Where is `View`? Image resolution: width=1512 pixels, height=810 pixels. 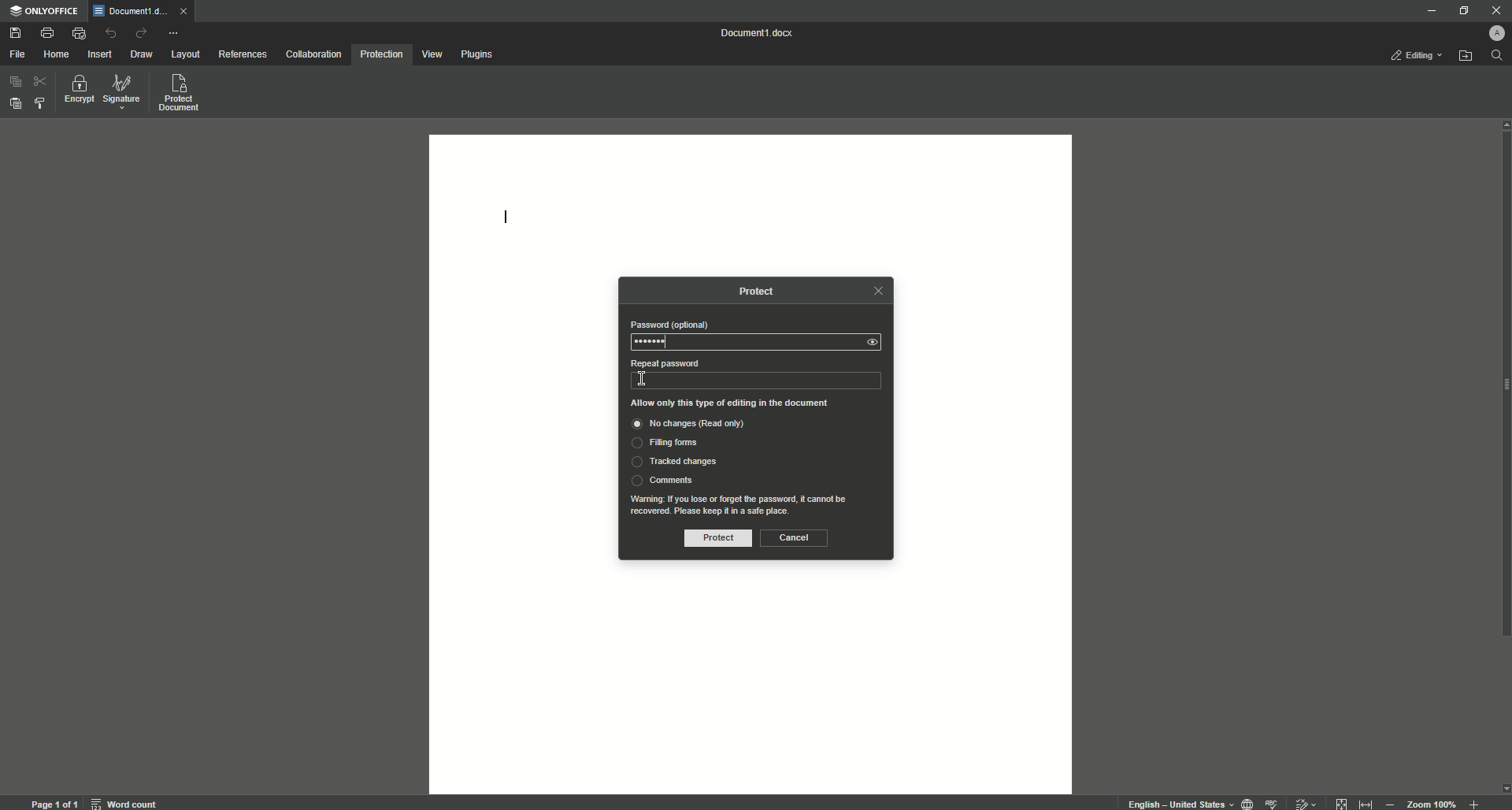
View is located at coordinates (432, 54).